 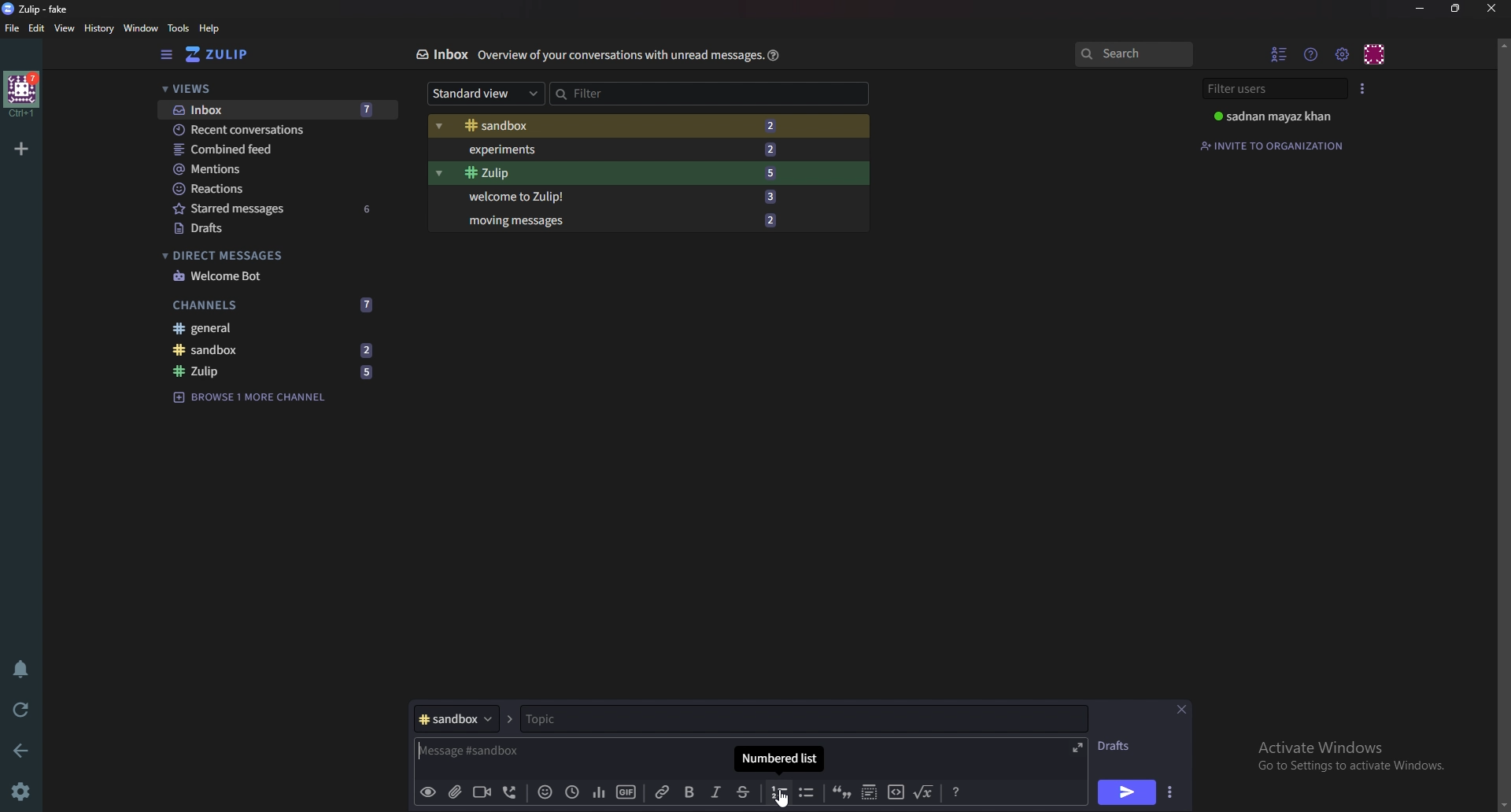 What do you see at coordinates (278, 350) in the screenshot?
I see `sandbox` at bounding box center [278, 350].